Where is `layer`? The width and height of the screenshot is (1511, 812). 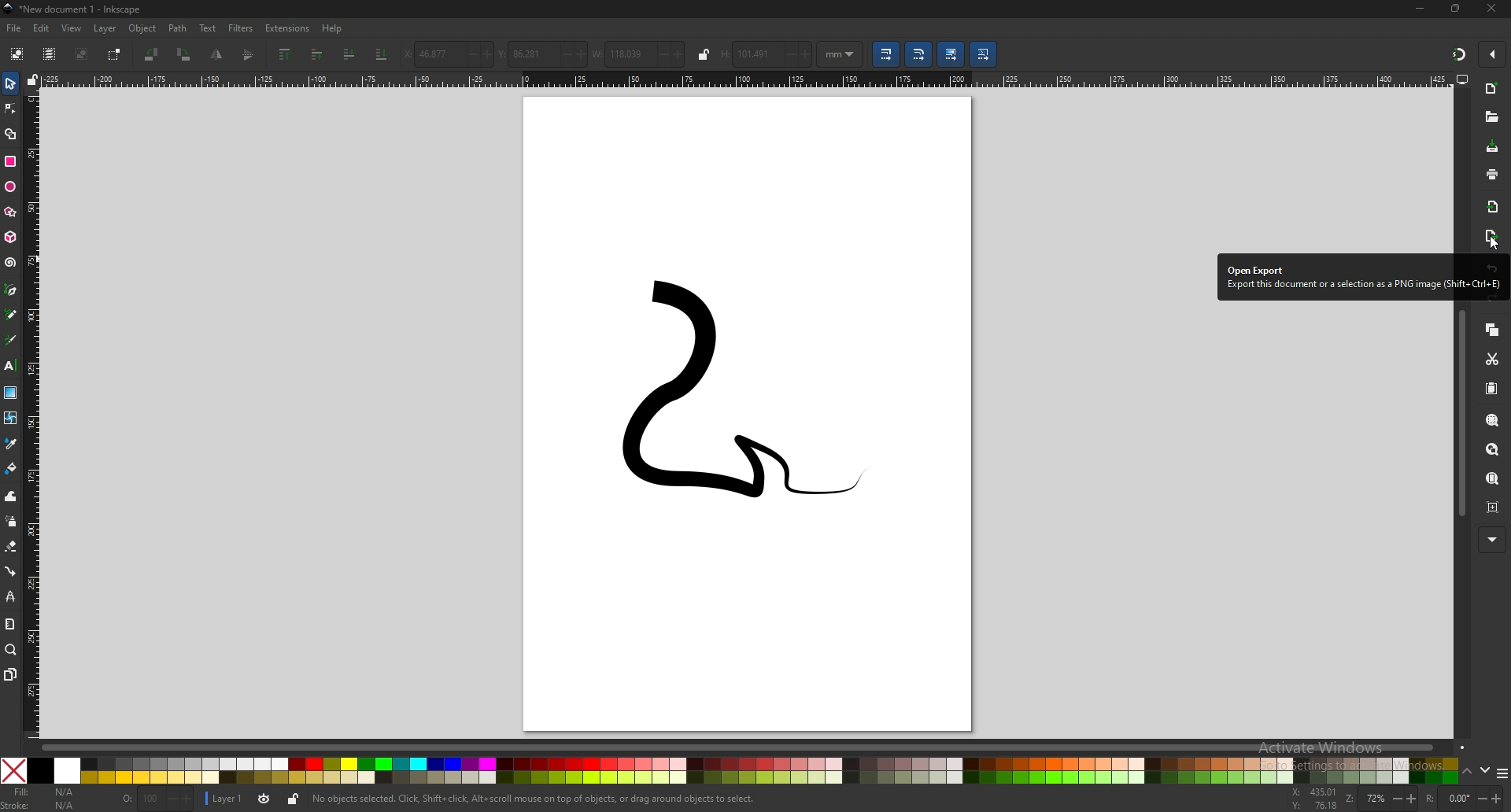
layer is located at coordinates (227, 797).